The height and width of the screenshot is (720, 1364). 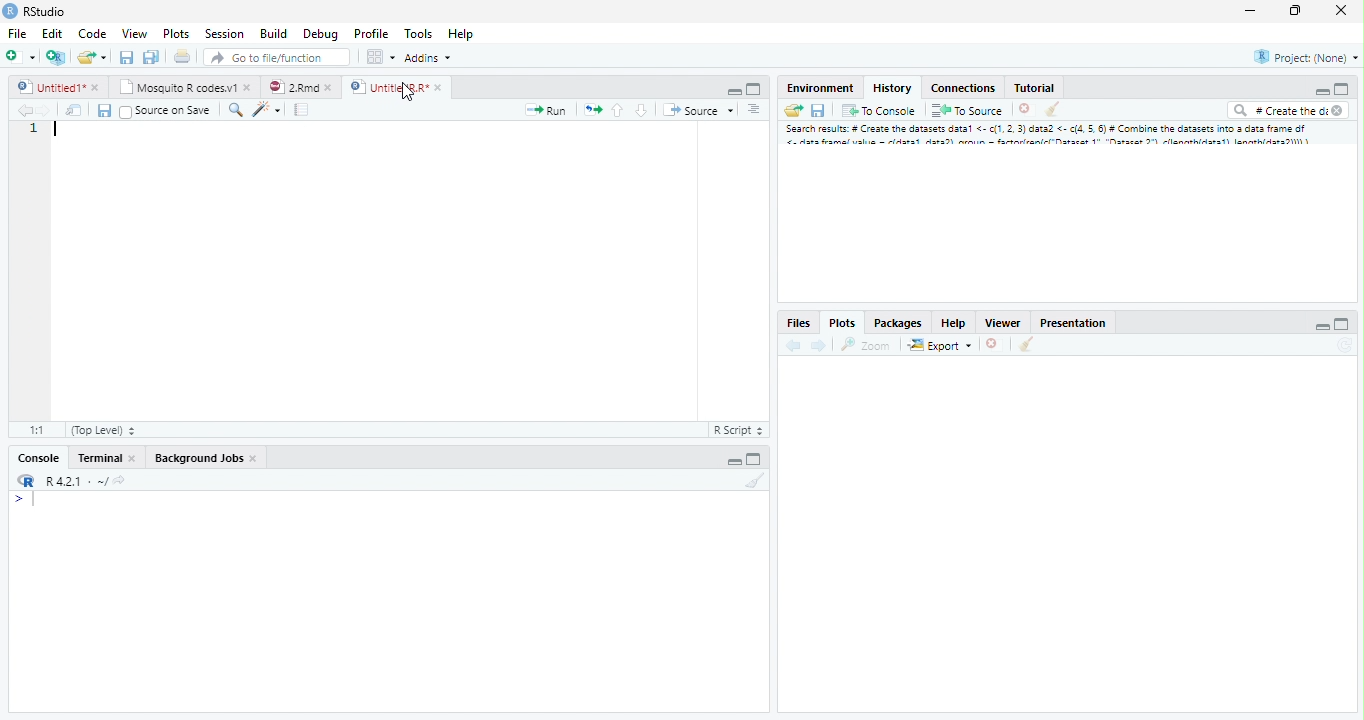 What do you see at coordinates (898, 321) in the screenshot?
I see `Packages` at bounding box center [898, 321].